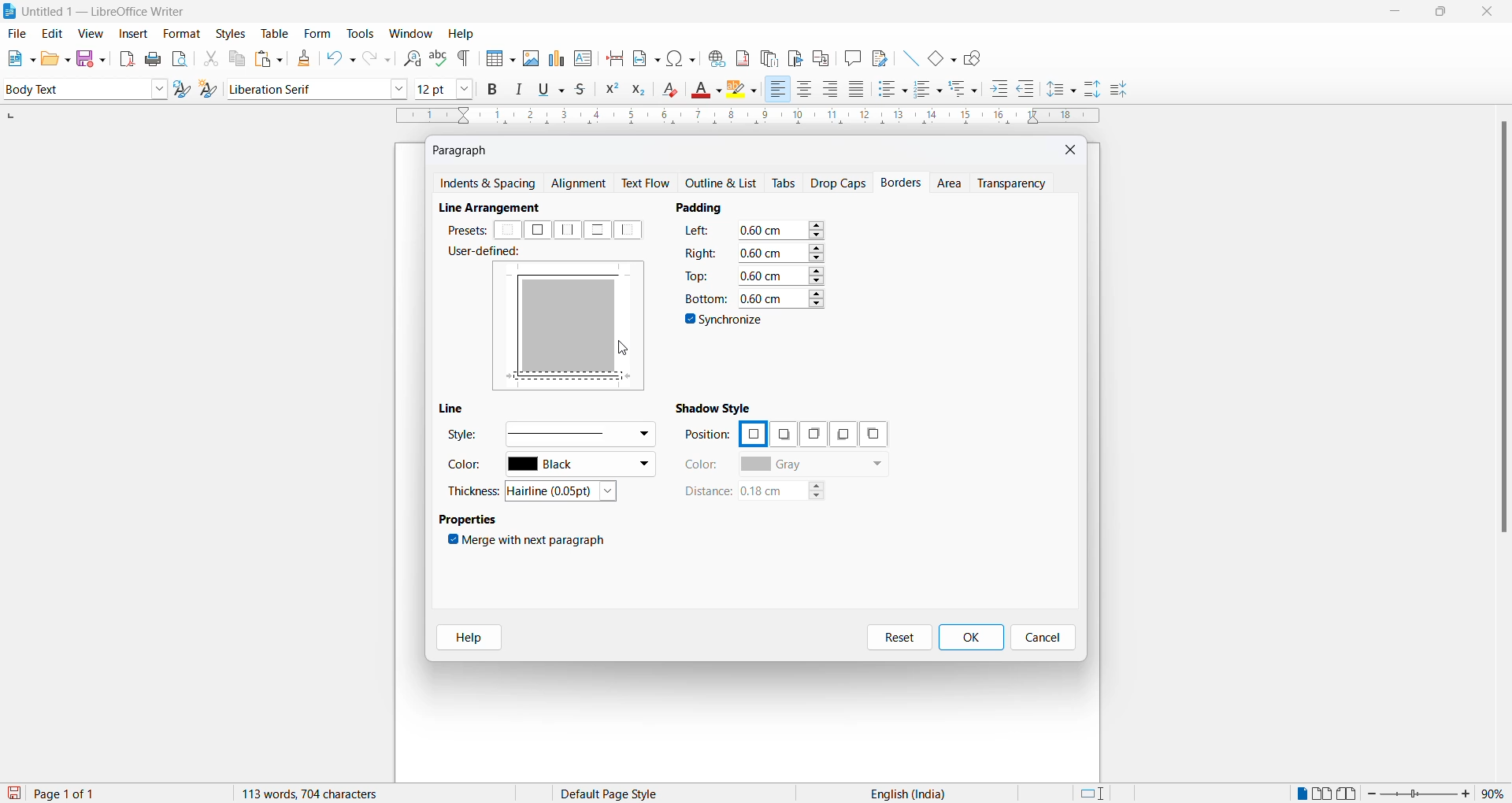  Describe the element at coordinates (1117, 91) in the screenshot. I see `decrease paragraph spacing` at that location.